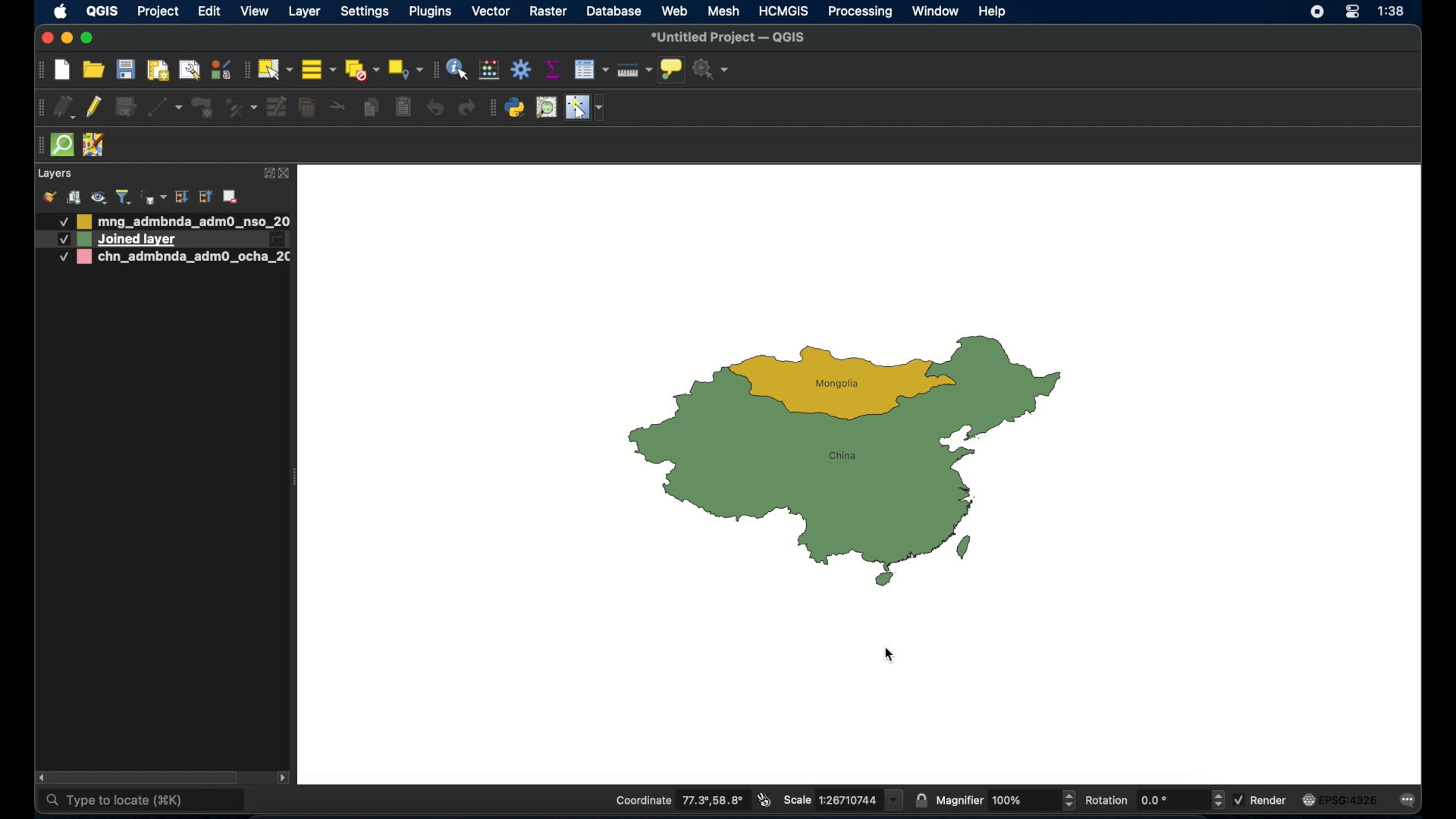  Describe the element at coordinates (65, 108) in the screenshot. I see `current edits` at that location.